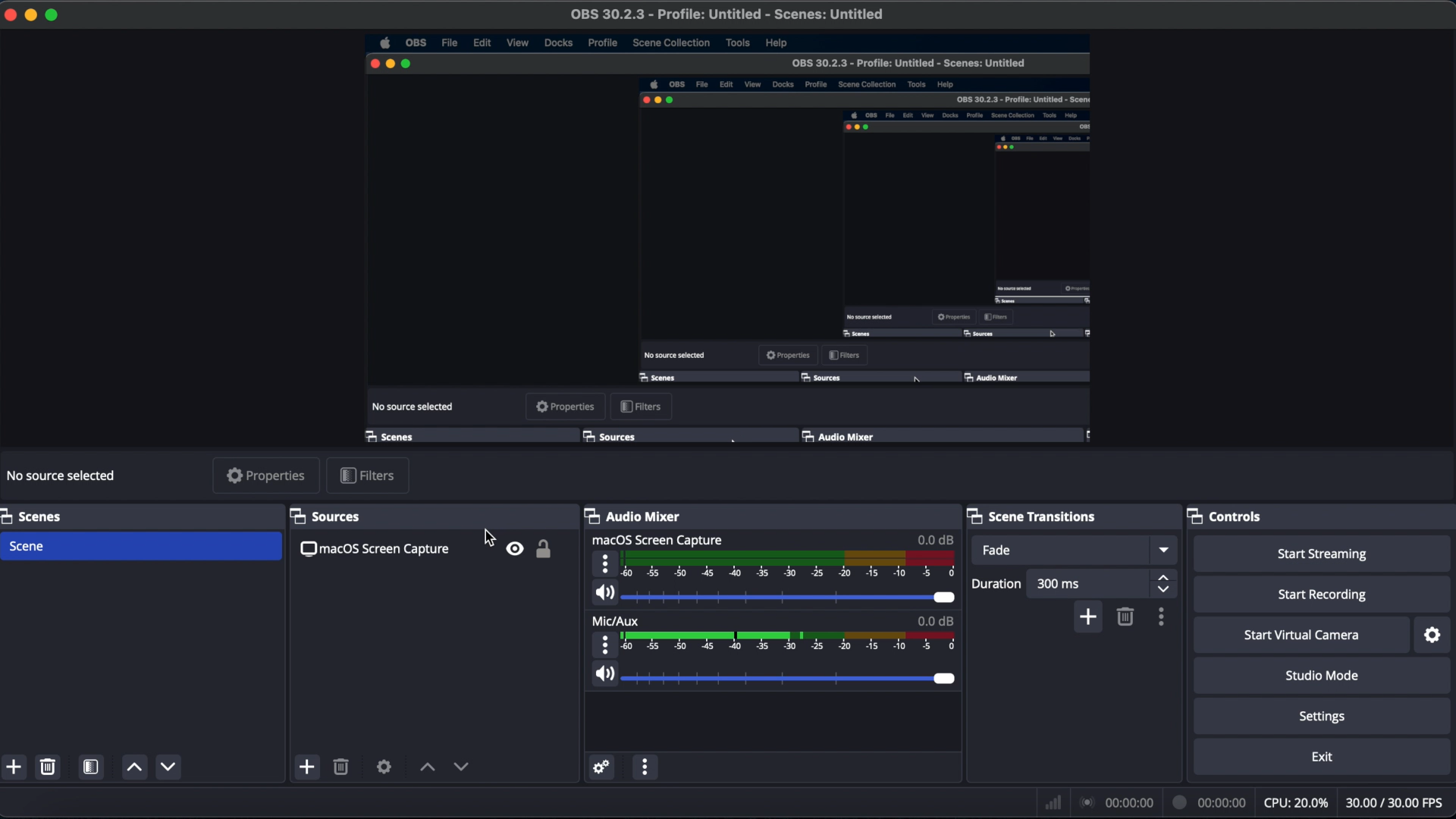 This screenshot has height=819, width=1456. Describe the element at coordinates (1323, 676) in the screenshot. I see `studio mode` at that location.